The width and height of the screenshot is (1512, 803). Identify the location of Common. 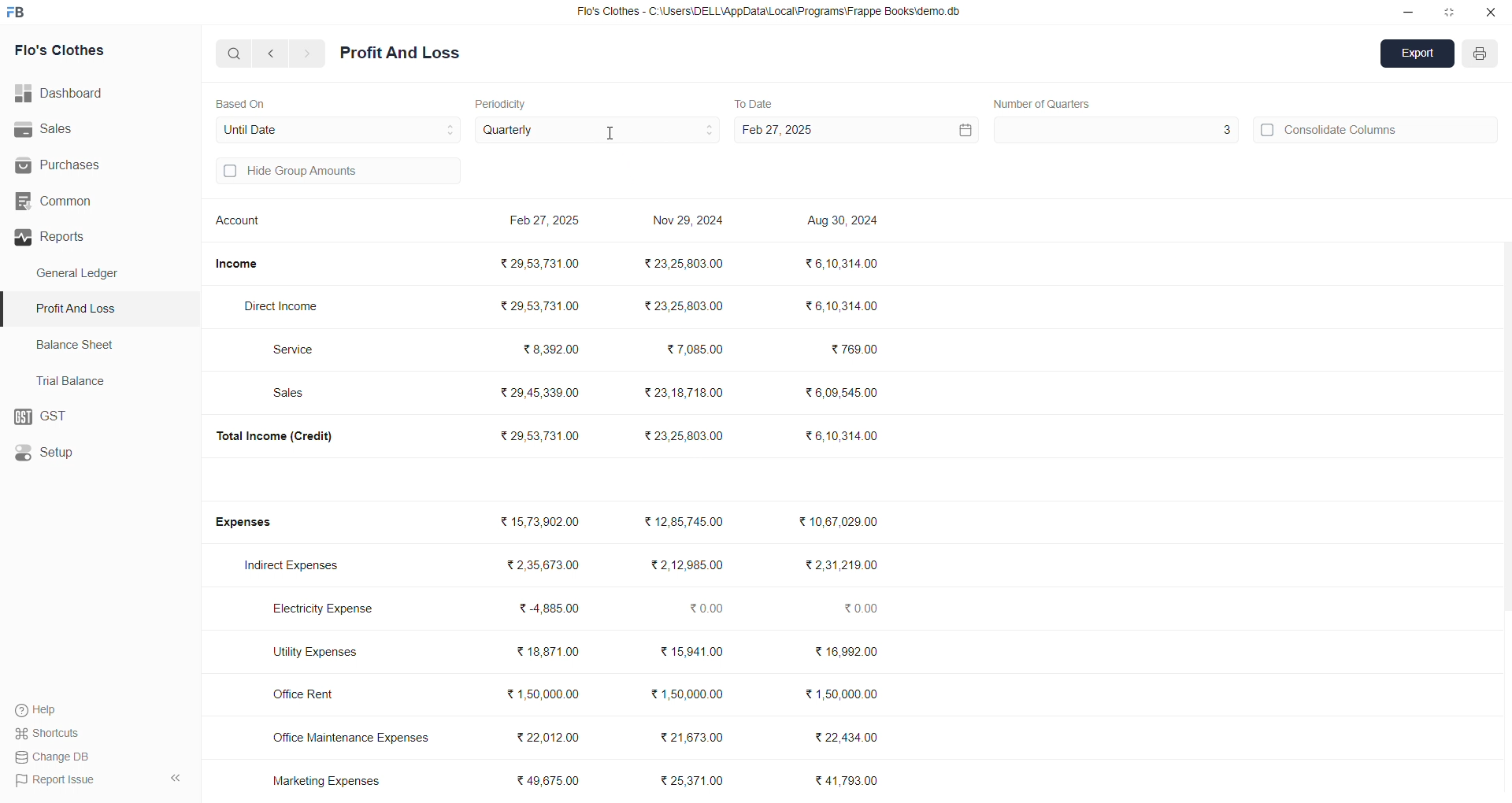
(80, 202).